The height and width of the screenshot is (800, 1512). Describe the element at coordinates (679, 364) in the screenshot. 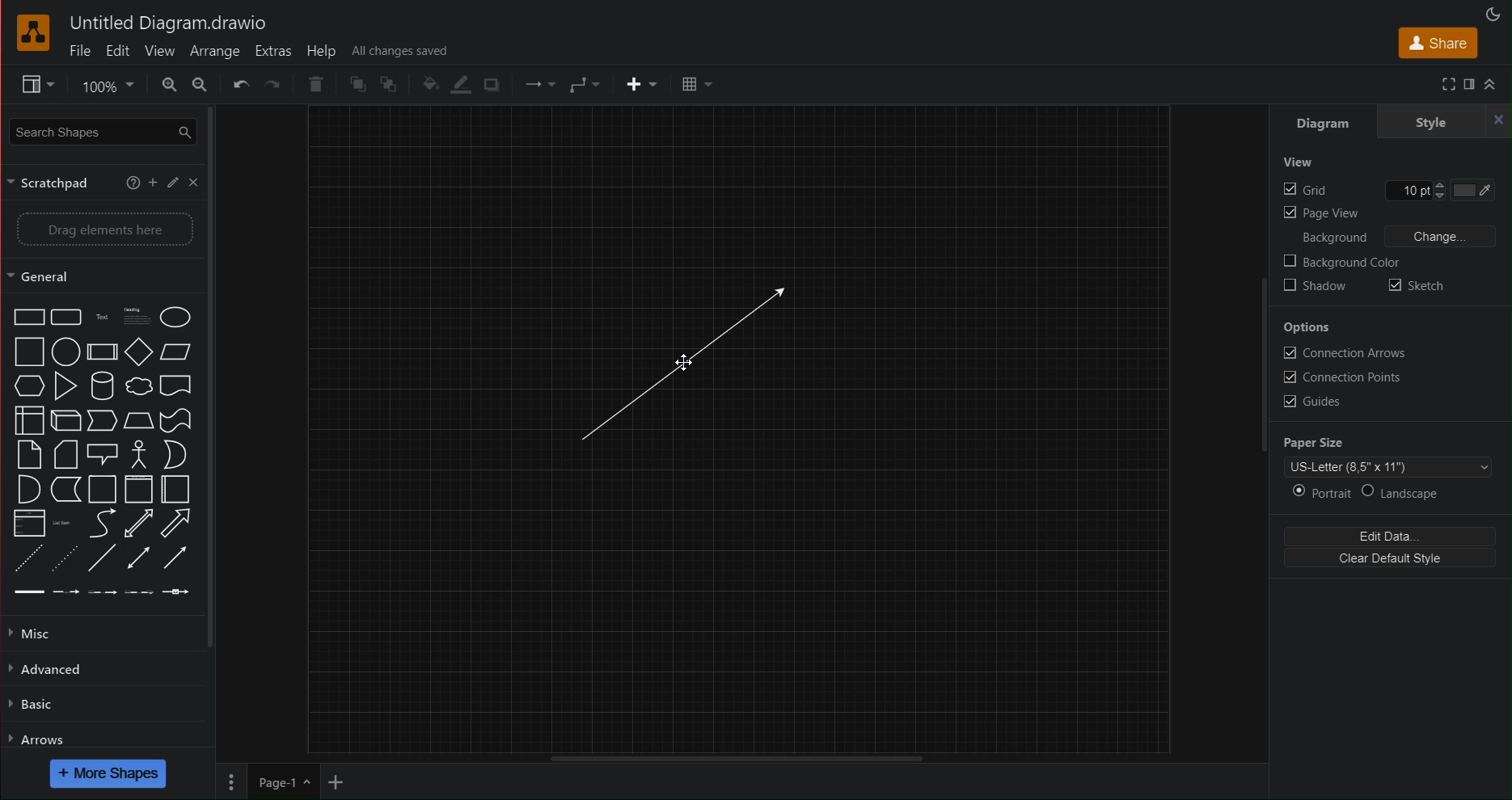

I see `Straight Line (unselected)` at that location.